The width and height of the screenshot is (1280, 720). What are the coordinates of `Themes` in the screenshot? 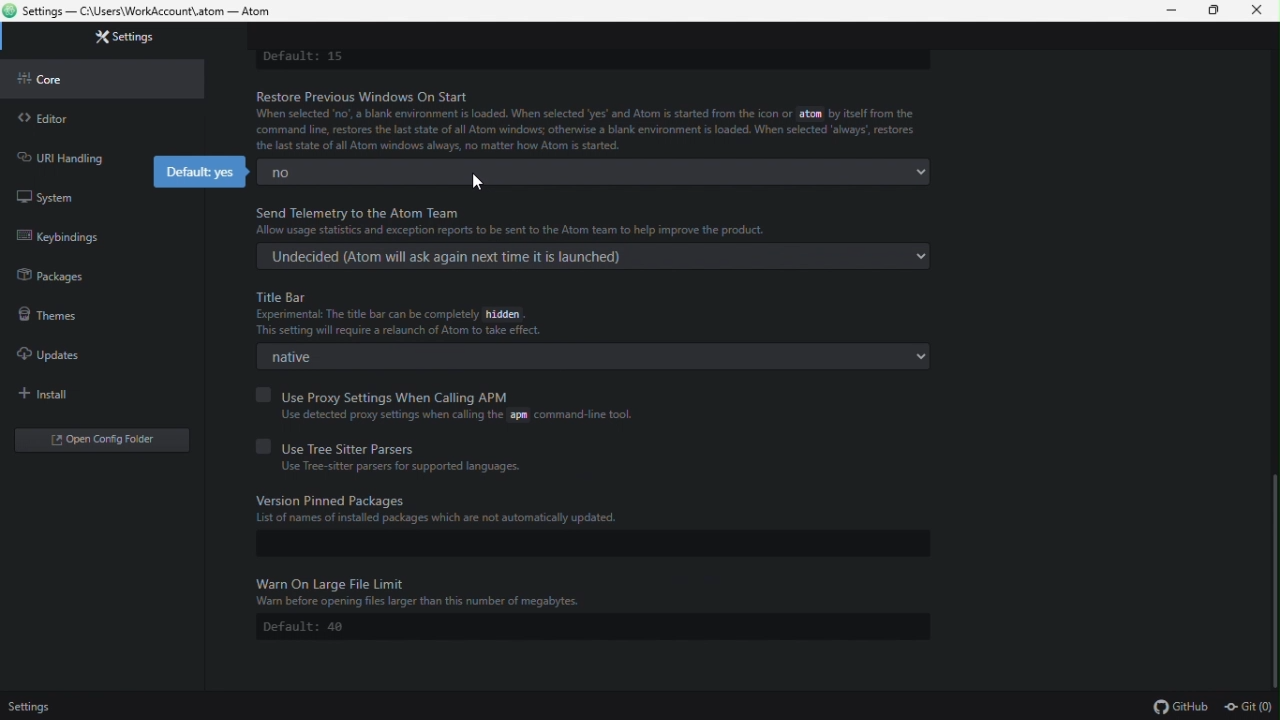 It's located at (64, 319).